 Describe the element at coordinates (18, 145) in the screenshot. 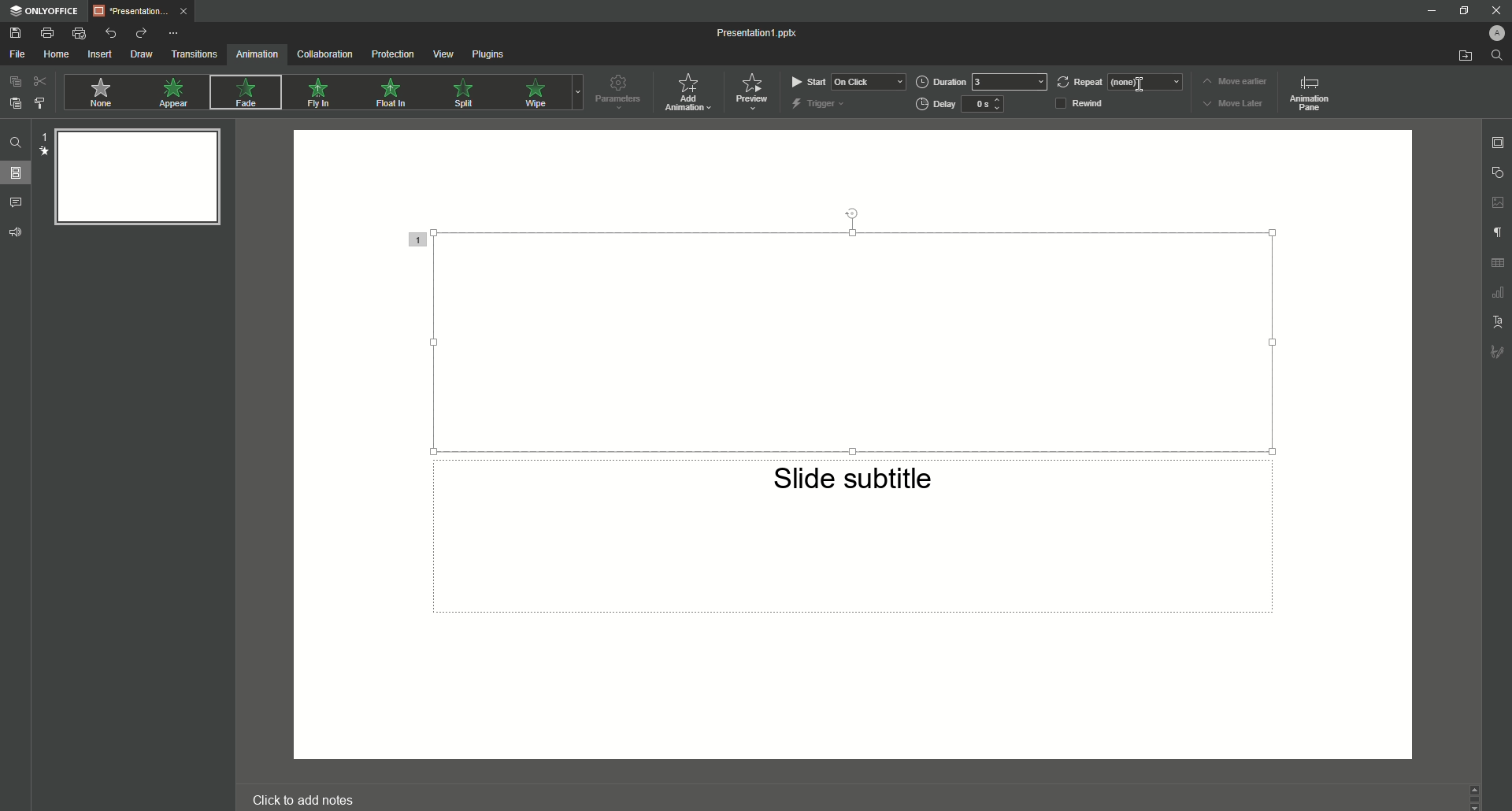

I see `Find` at that location.